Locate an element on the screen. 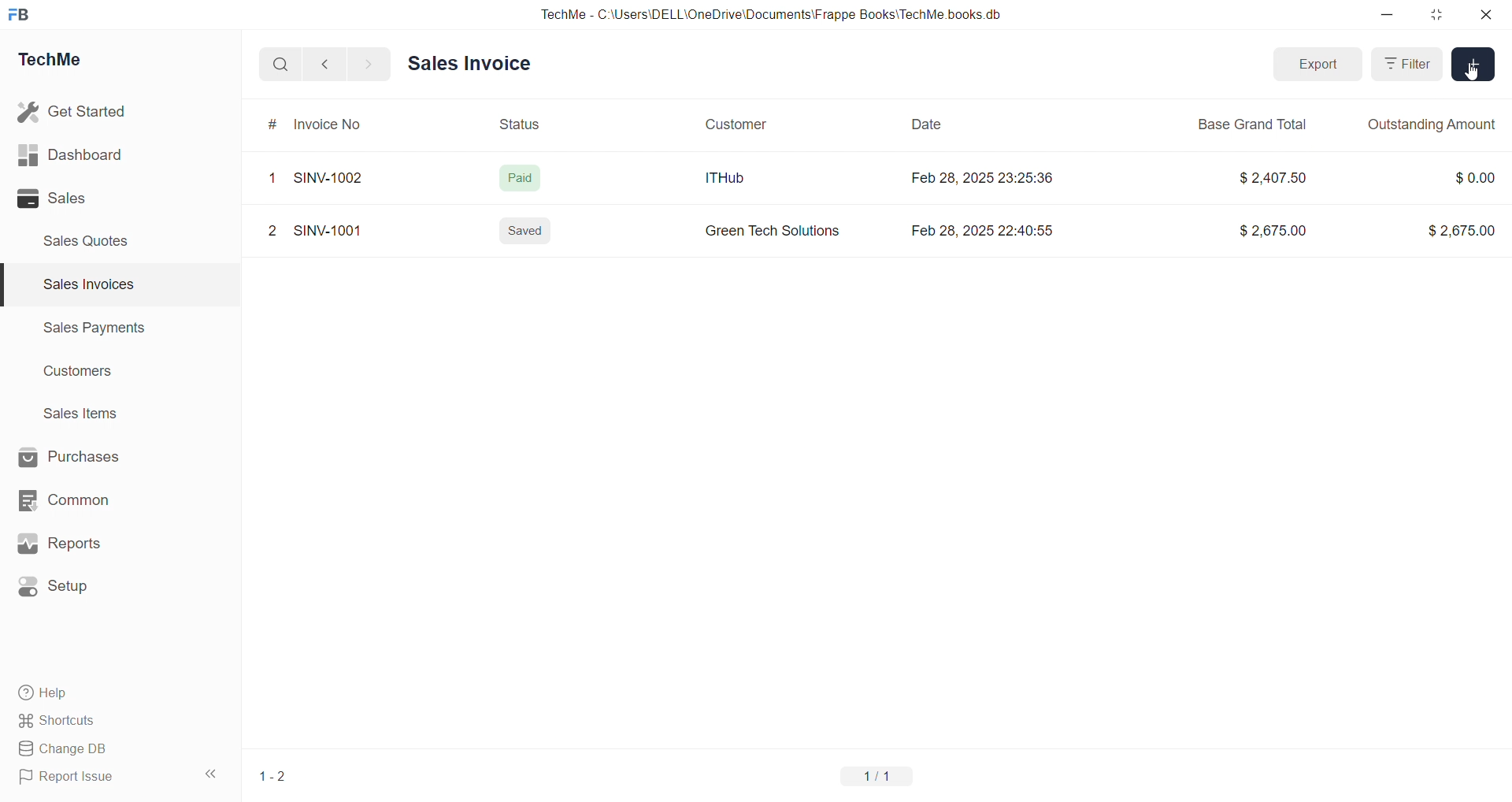 Image resolution: width=1512 pixels, height=802 pixels. Status is located at coordinates (530, 123).